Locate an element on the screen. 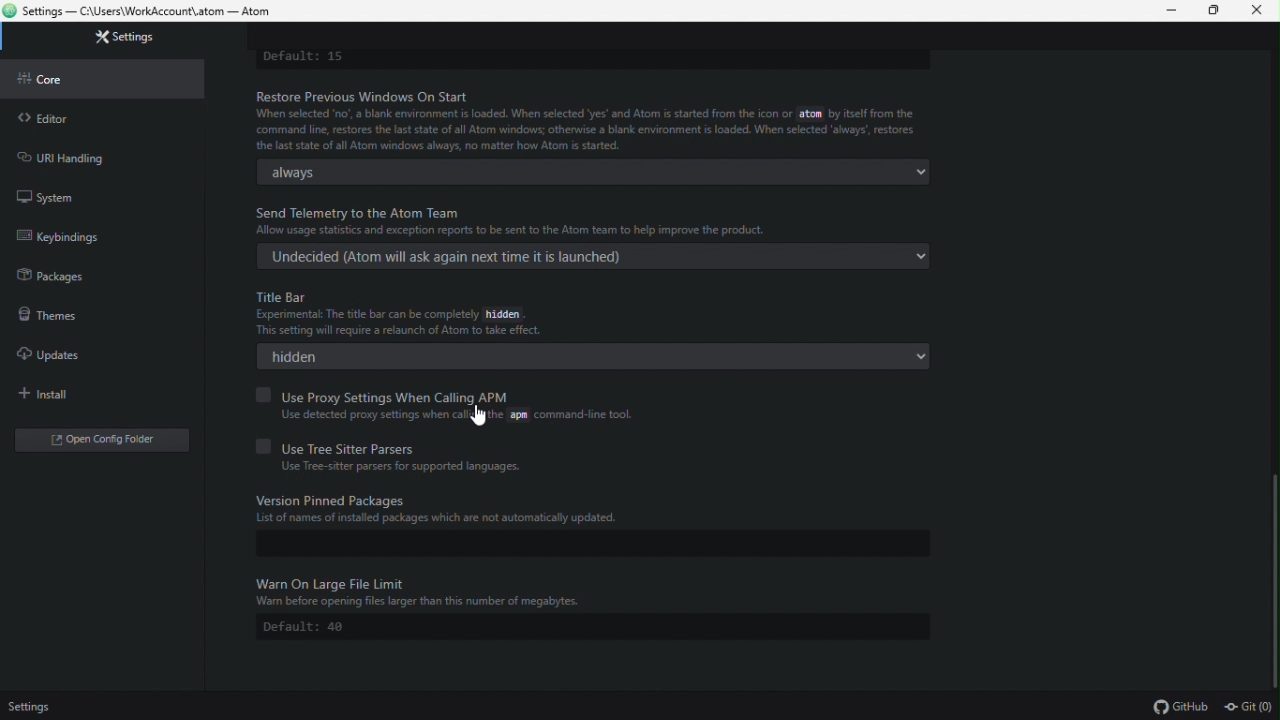  Default: 40 is located at coordinates (313, 628).